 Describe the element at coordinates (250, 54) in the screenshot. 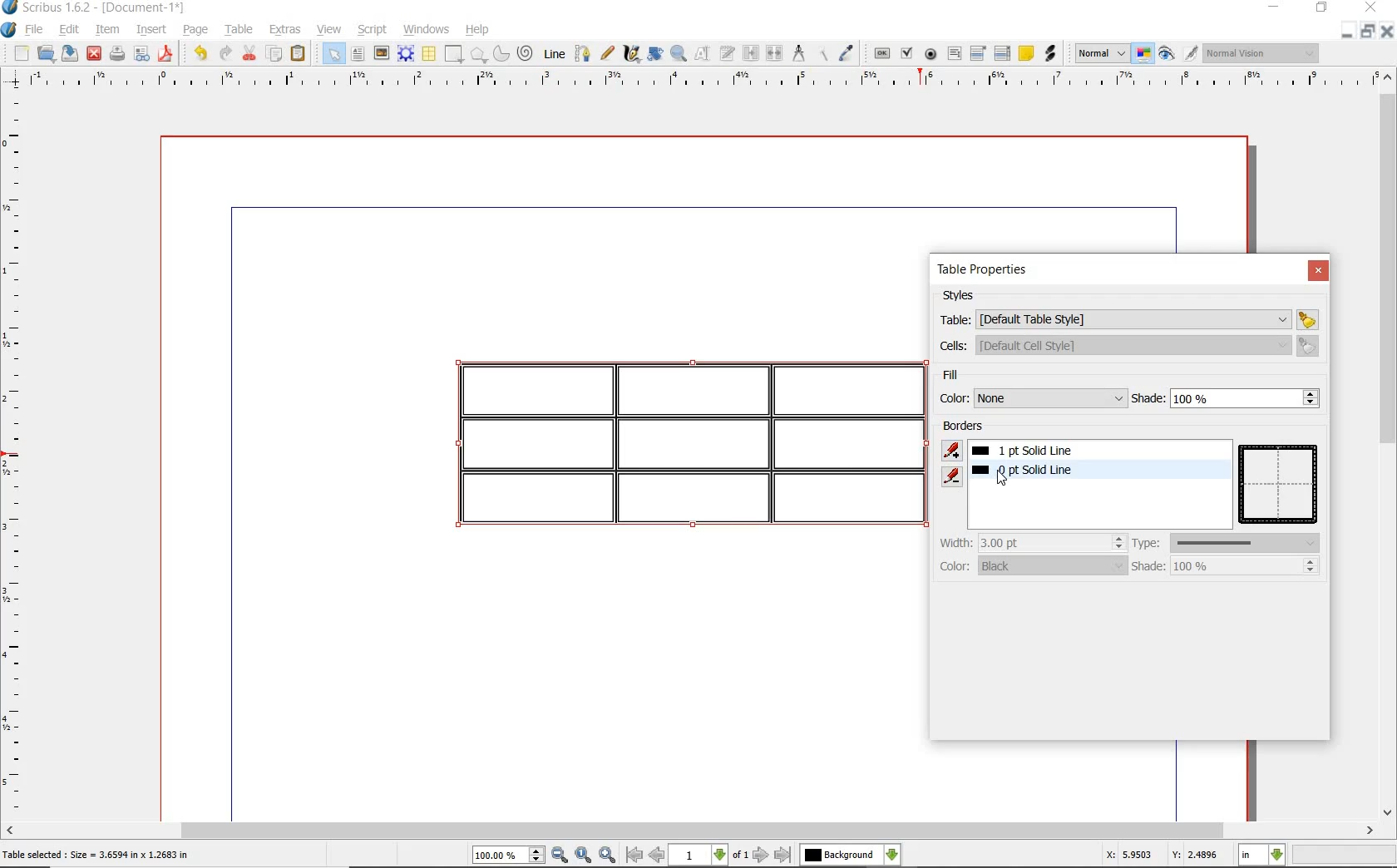

I see `cut` at that location.